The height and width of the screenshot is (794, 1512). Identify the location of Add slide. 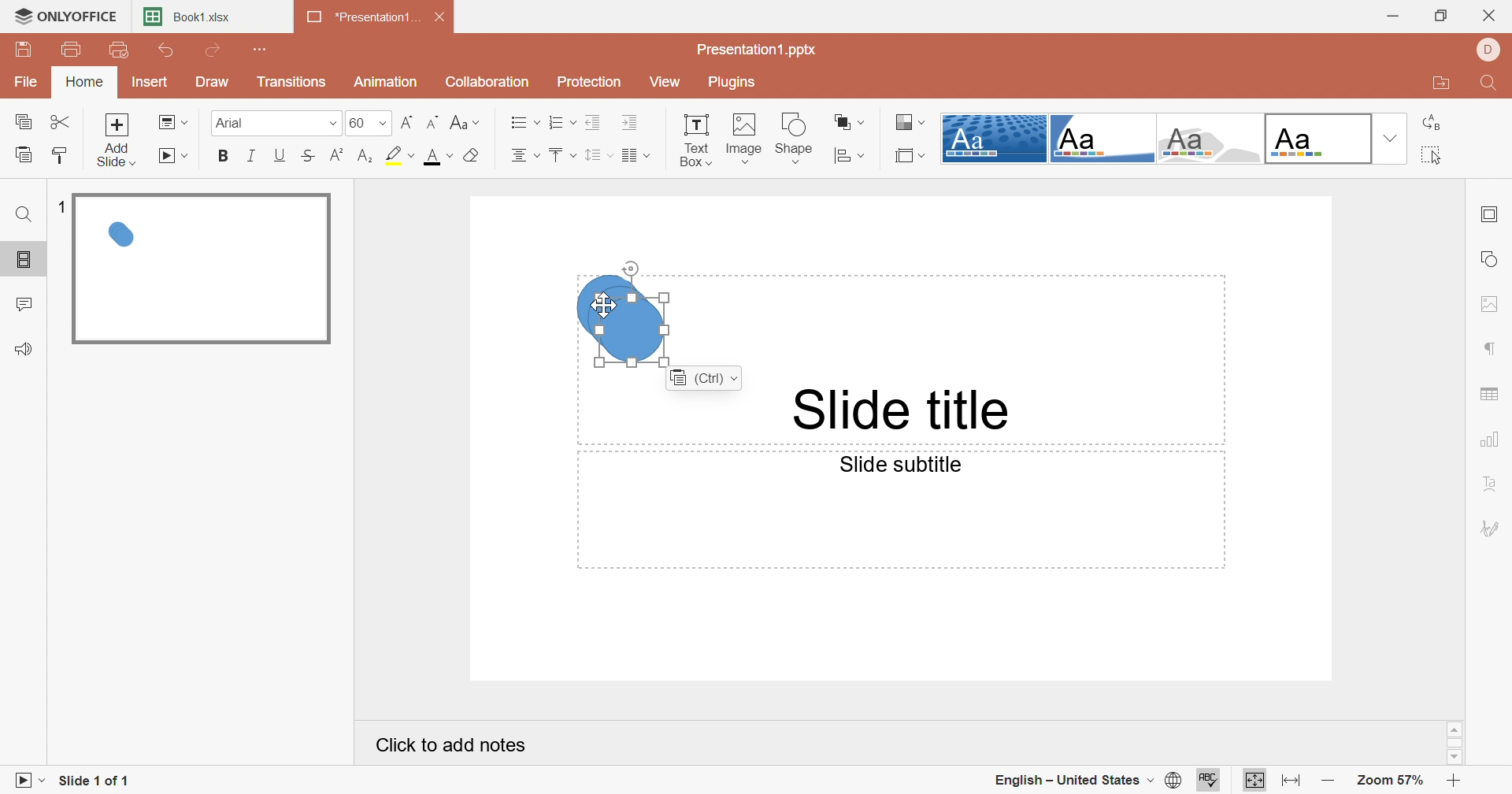
(117, 139).